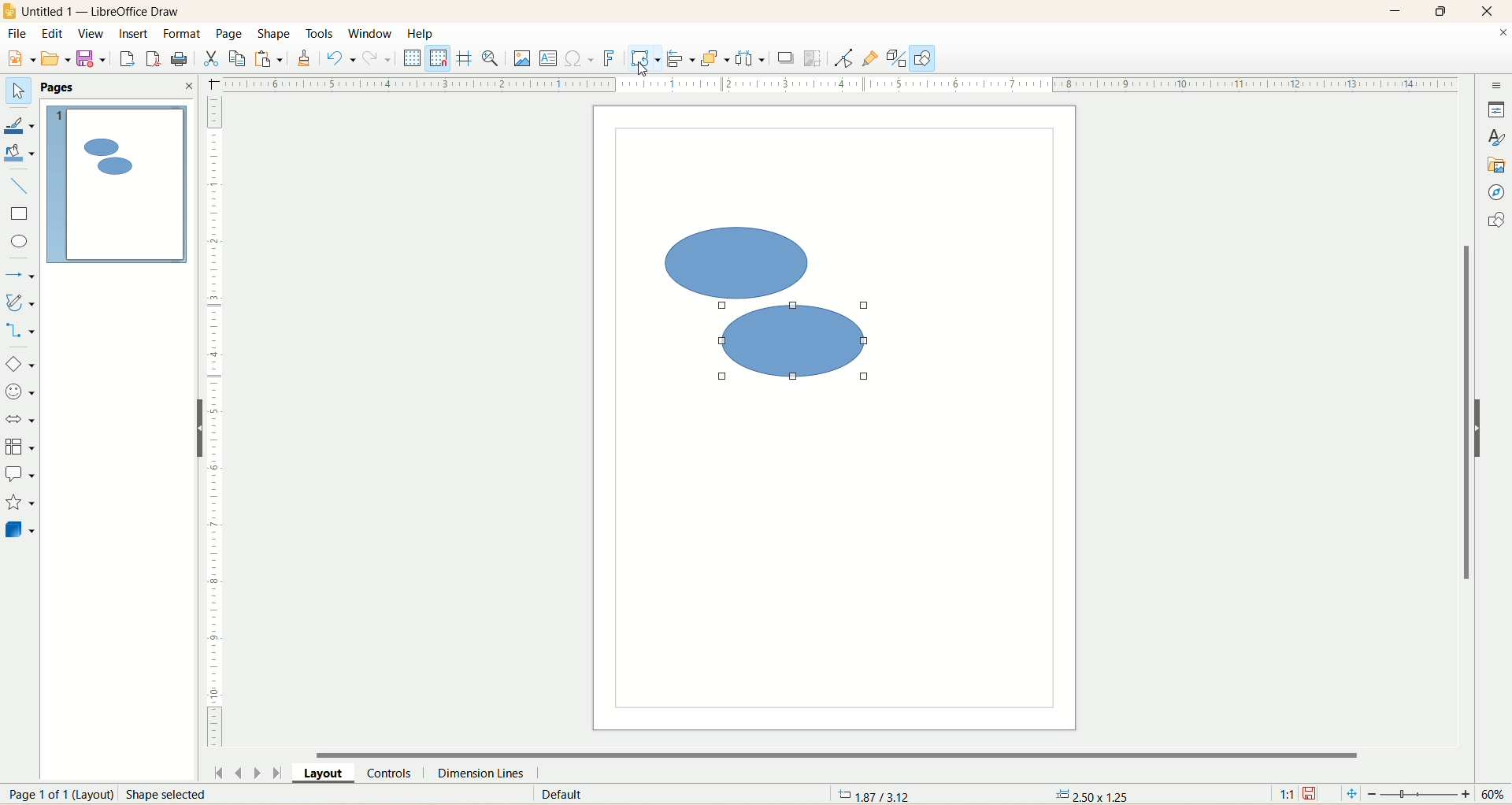  What do you see at coordinates (276, 33) in the screenshot?
I see `shape` at bounding box center [276, 33].